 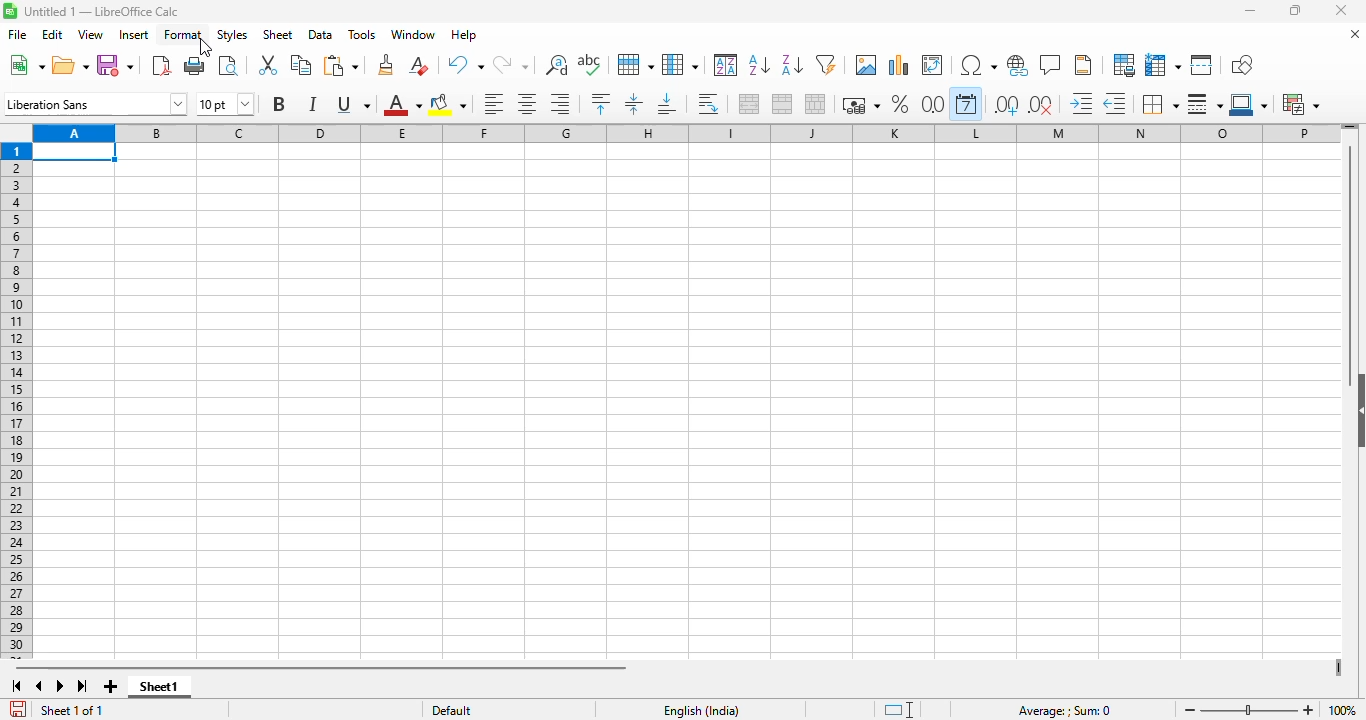 What do you see at coordinates (419, 65) in the screenshot?
I see `clear direct formatting` at bounding box center [419, 65].